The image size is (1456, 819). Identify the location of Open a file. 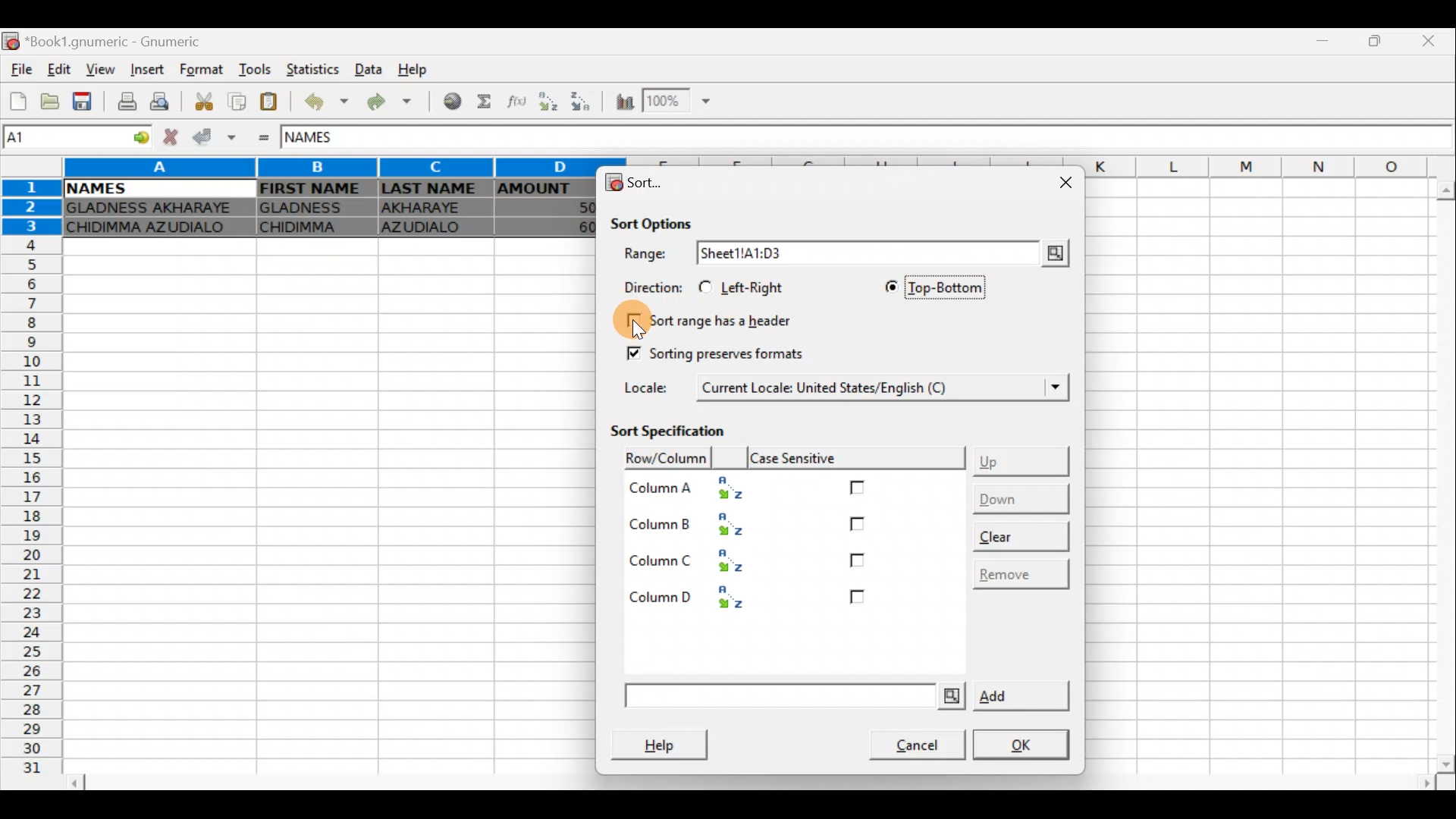
(52, 101).